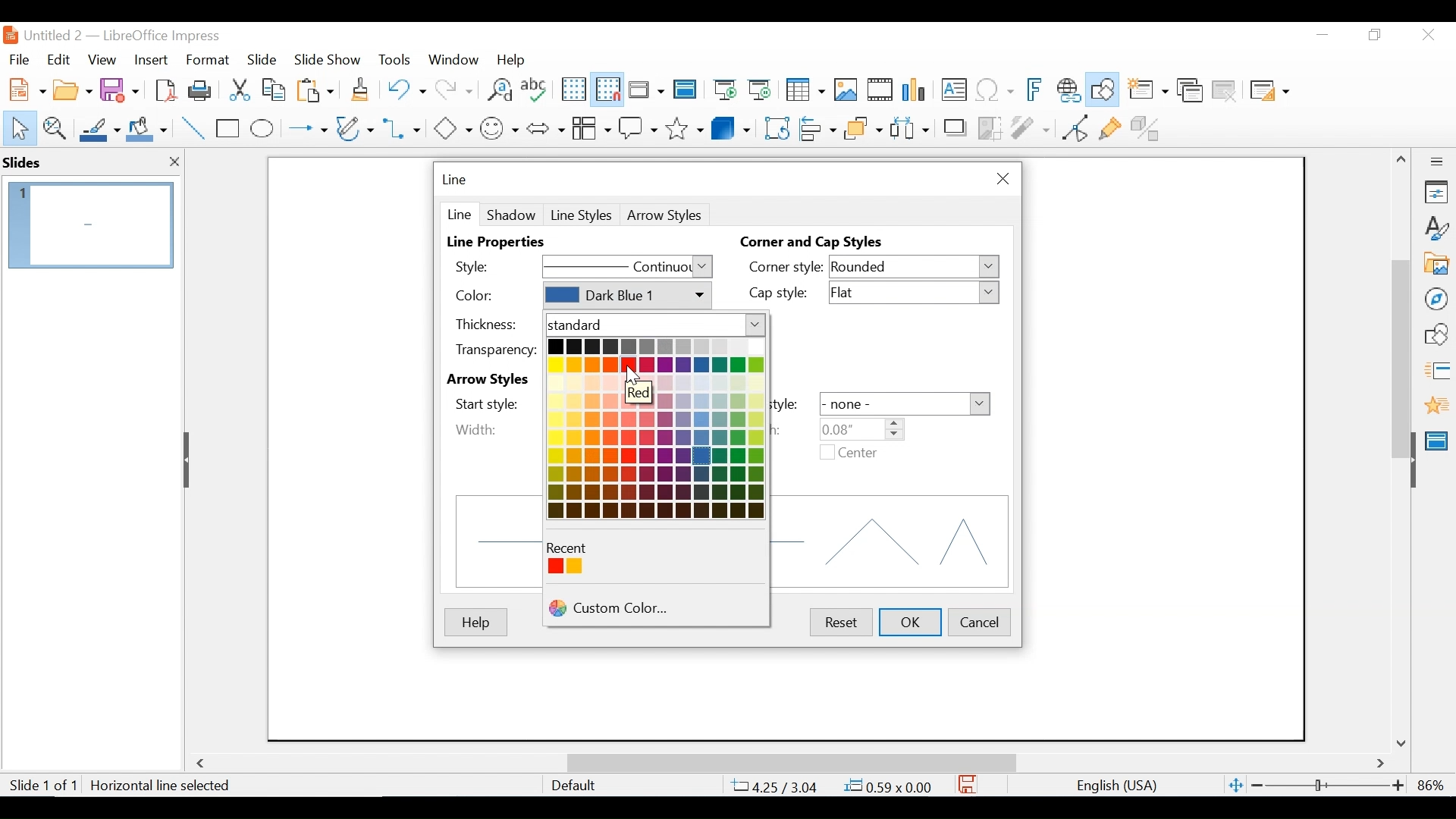 The width and height of the screenshot is (1456, 819). I want to click on Shadow Image, so click(956, 127).